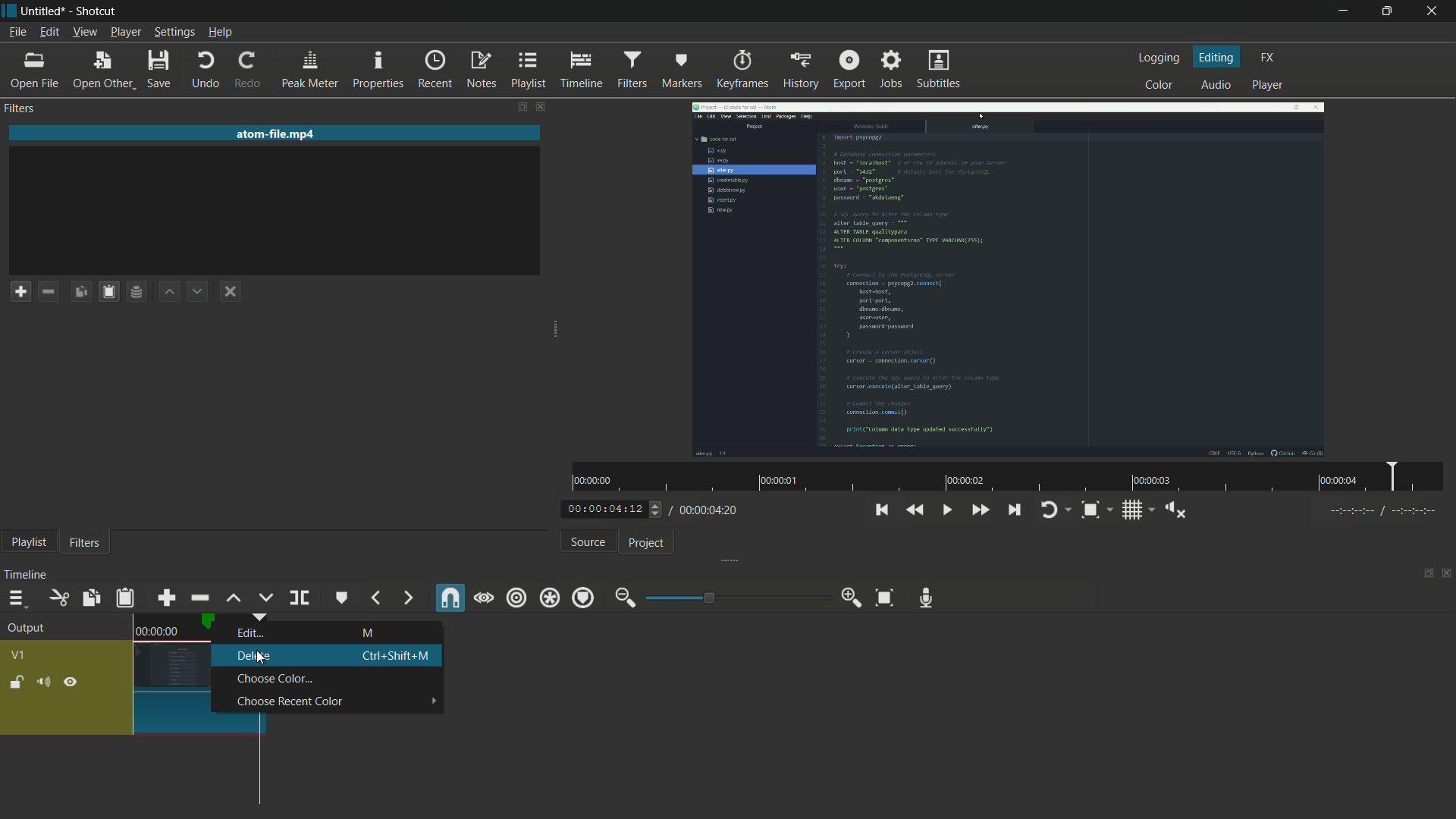 This screenshot has width=1456, height=819. Describe the element at coordinates (220, 32) in the screenshot. I see `help menu` at that location.